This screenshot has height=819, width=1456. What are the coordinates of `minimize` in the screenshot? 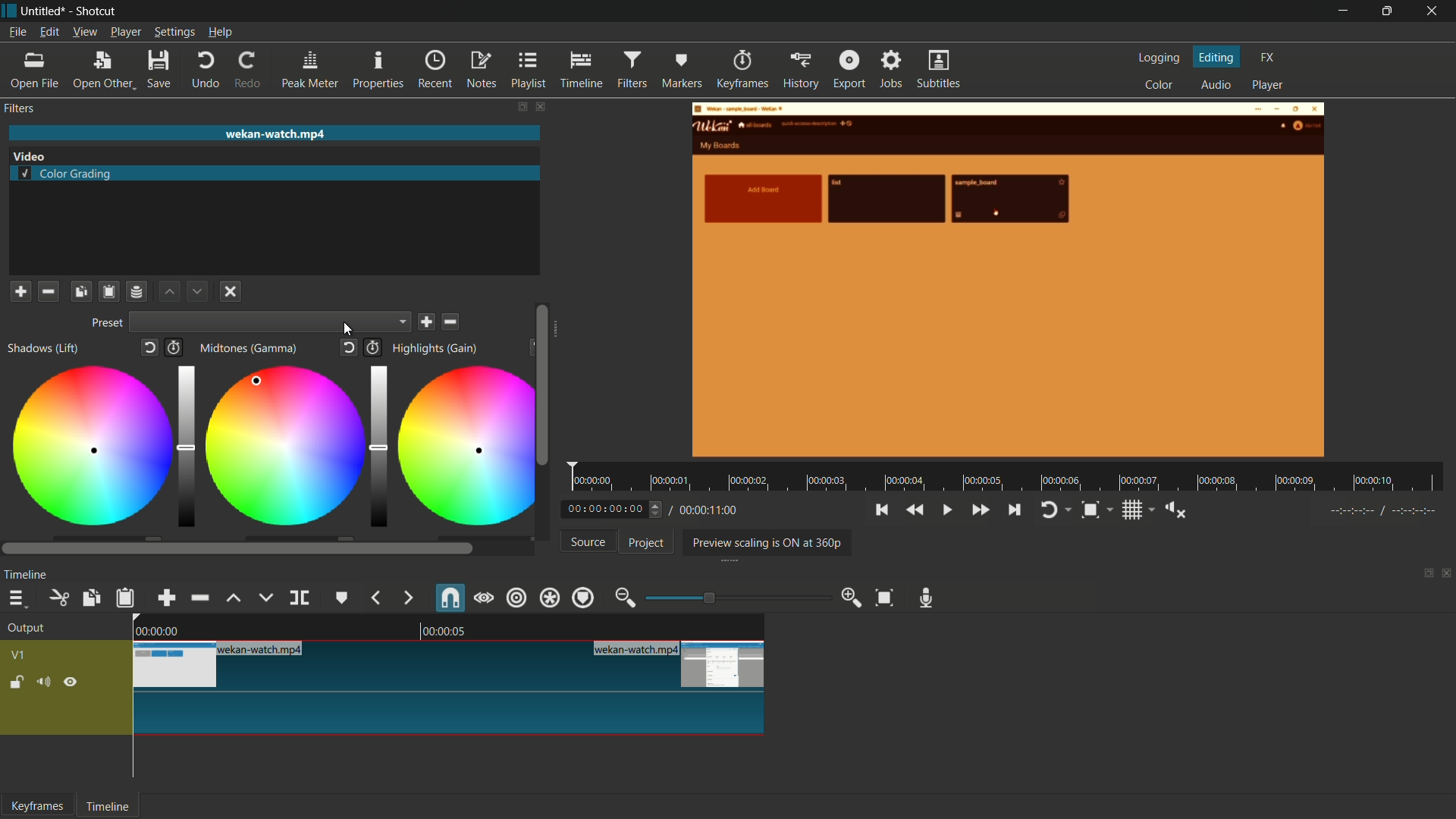 It's located at (1340, 11).